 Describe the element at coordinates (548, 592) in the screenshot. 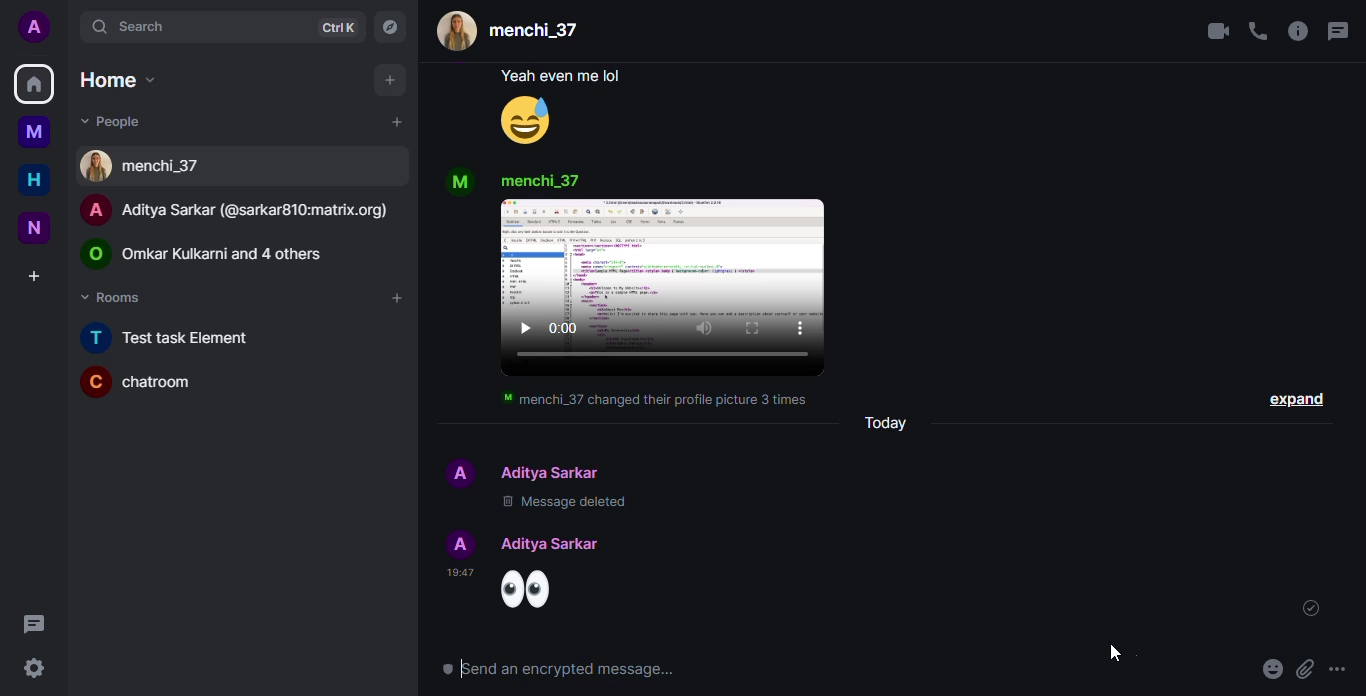

I see `emoji sent` at that location.